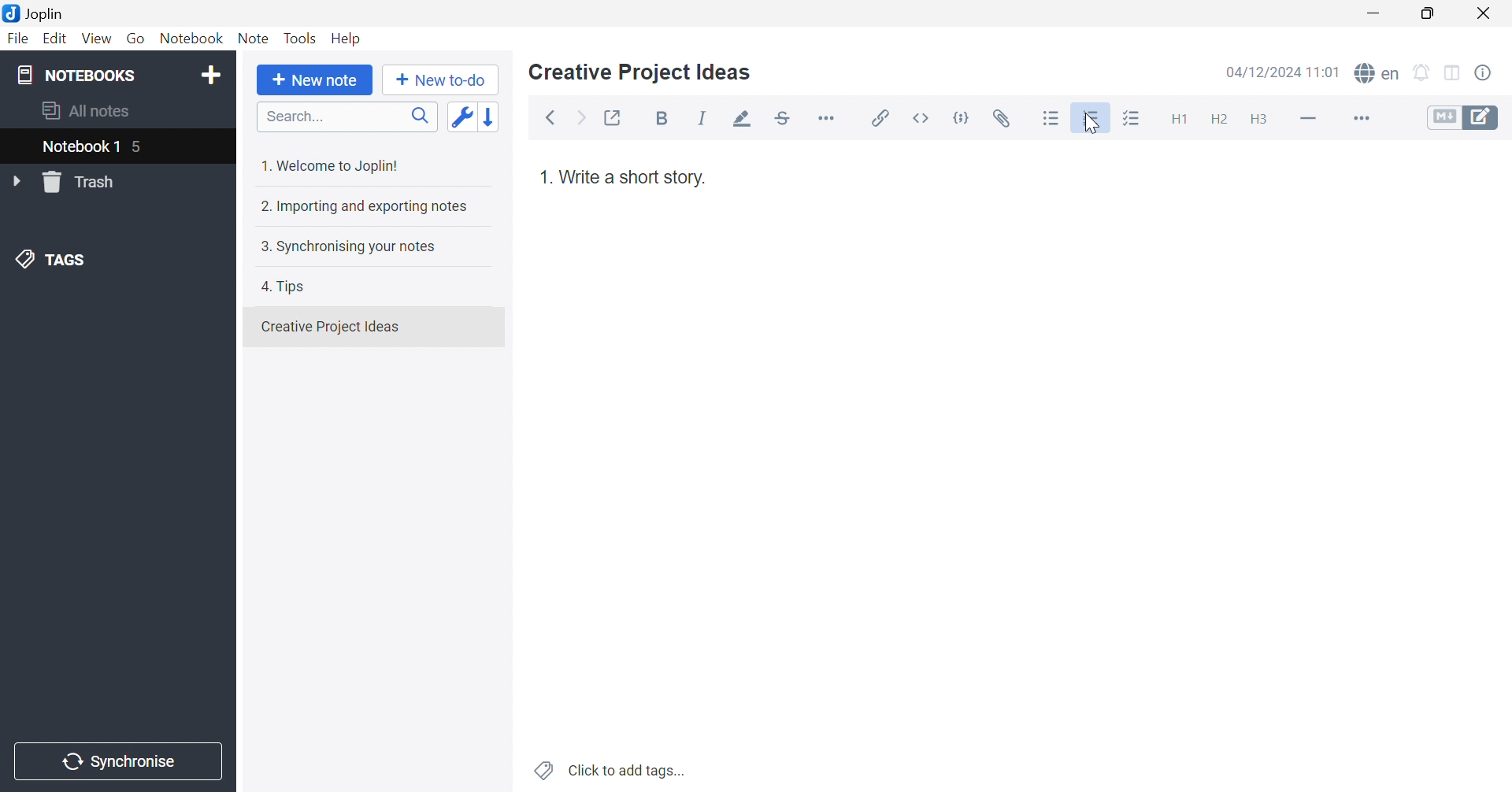 The height and width of the screenshot is (792, 1512). What do you see at coordinates (289, 285) in the screenshot?
I see `4. Tips` at bounding box center [289, 285].